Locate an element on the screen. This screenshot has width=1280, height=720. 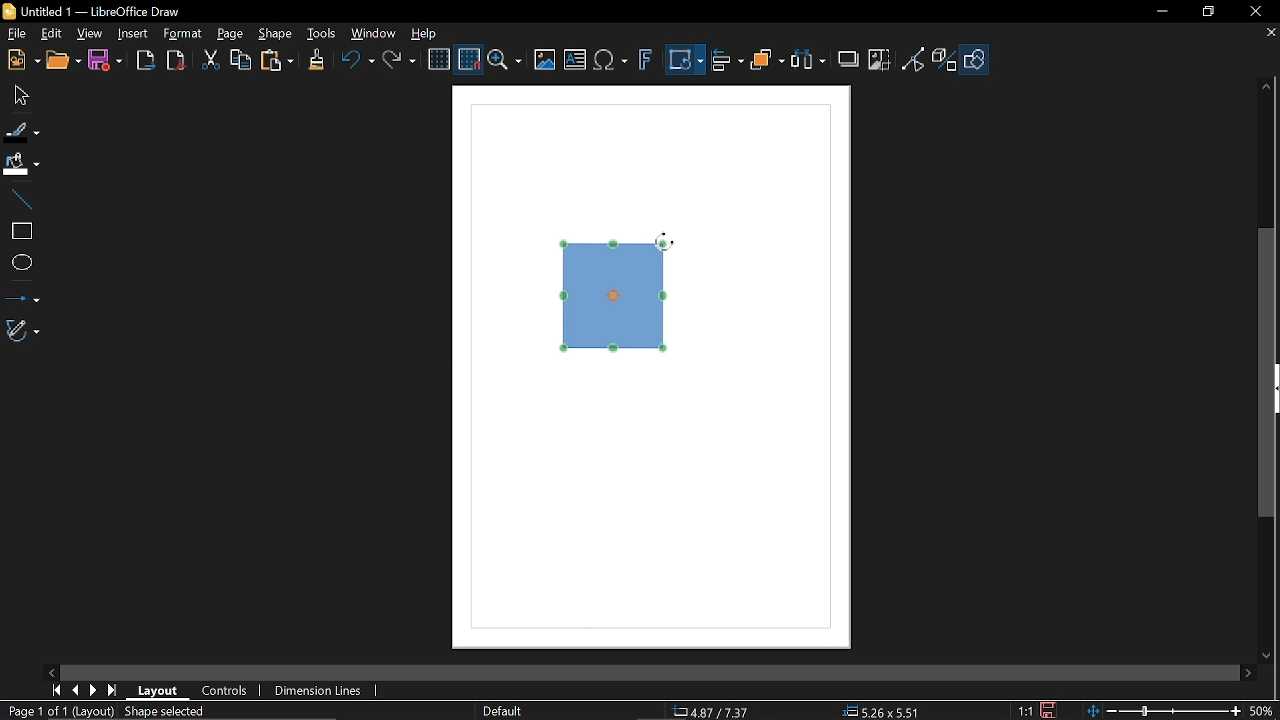
Ellipse is located at coordinates (20, 262).